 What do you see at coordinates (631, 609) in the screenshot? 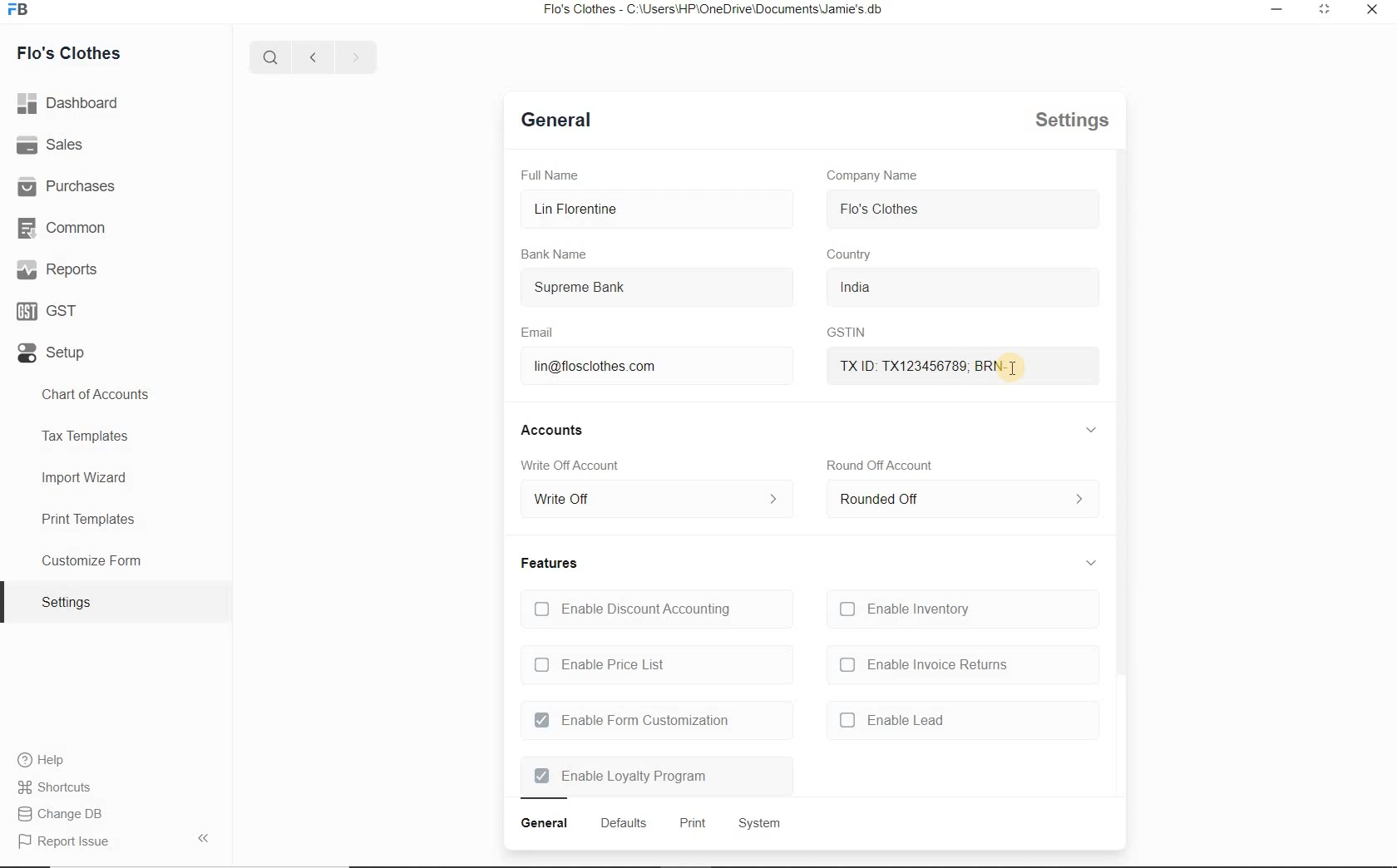
I see `Enable Discount Accounting` at bounding box center [631, 609].